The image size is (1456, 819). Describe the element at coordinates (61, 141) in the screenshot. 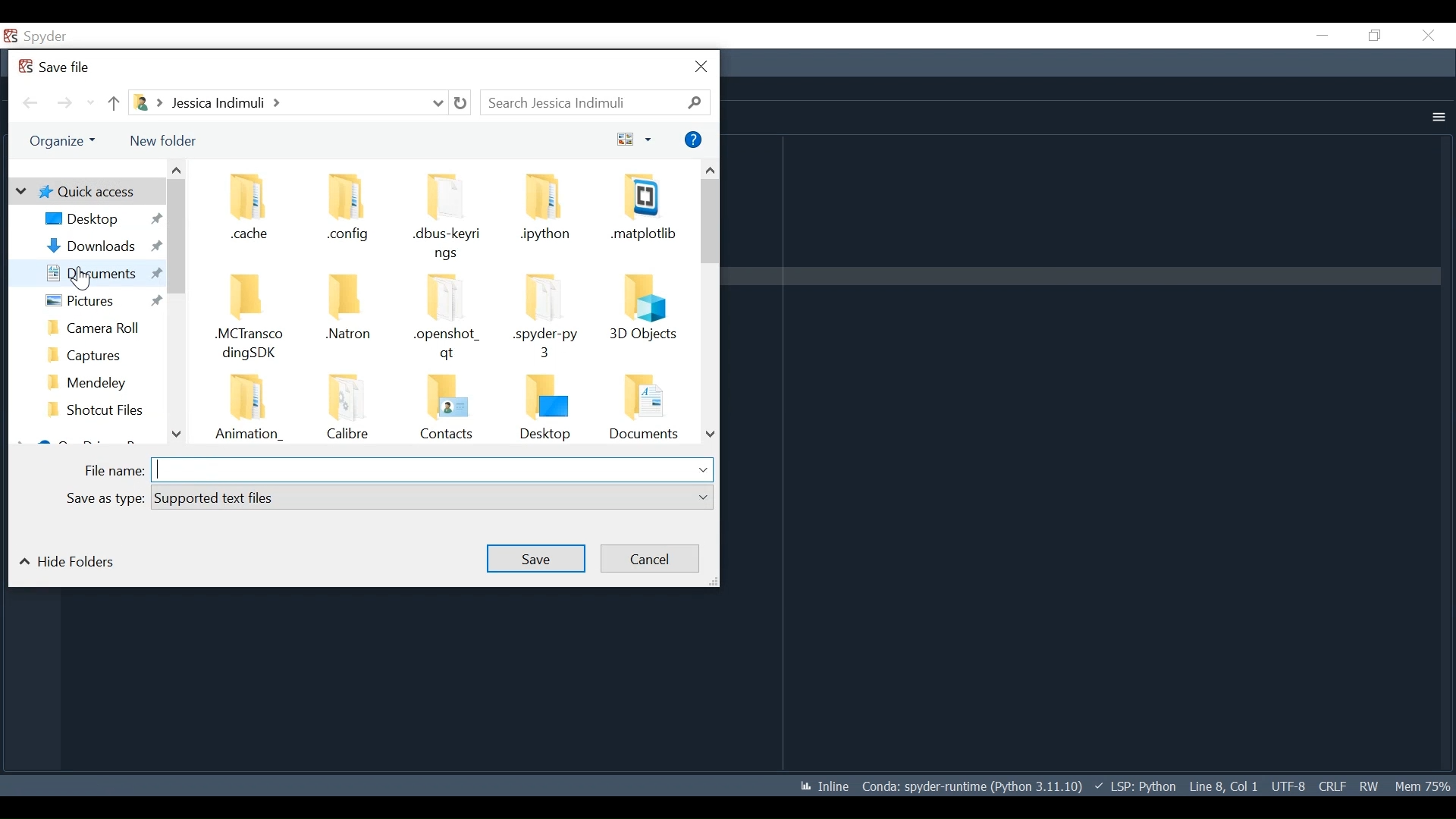

I see `Organize` at that location.